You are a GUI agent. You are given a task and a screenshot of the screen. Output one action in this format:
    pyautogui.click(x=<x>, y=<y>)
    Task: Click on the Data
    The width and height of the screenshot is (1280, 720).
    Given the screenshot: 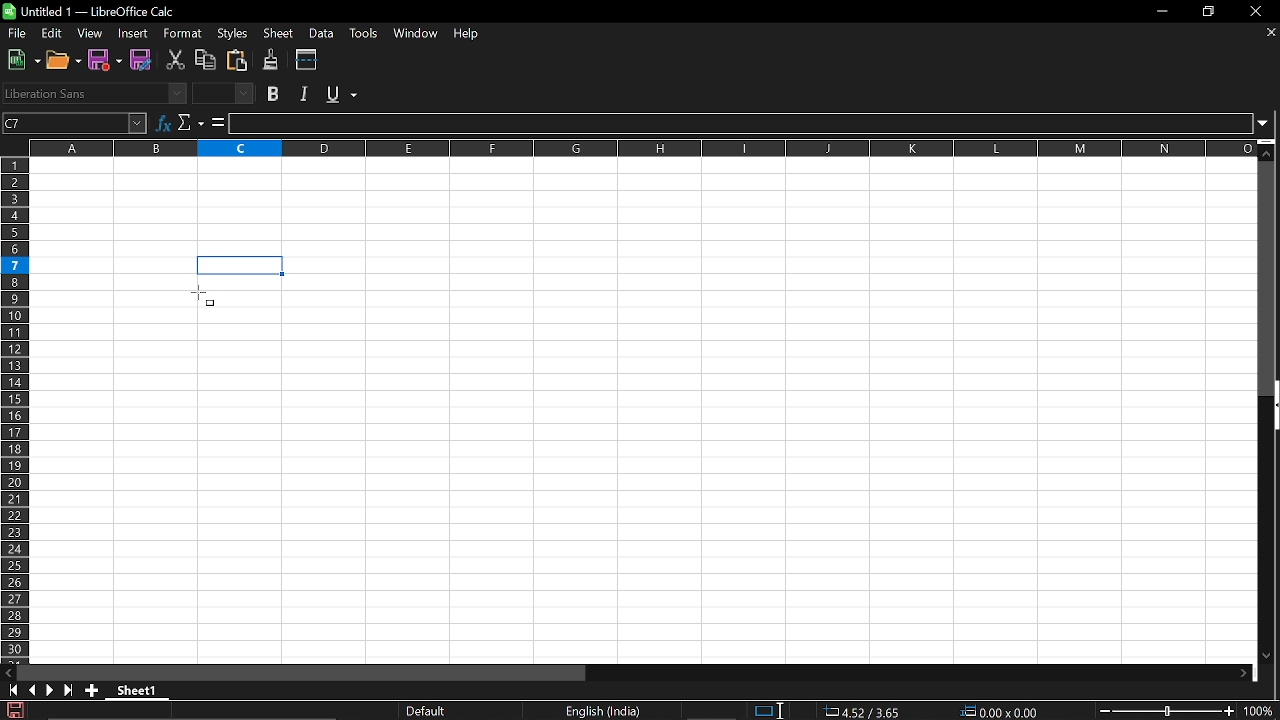 What is the action you would take?
    pyautogui.click(x=321, y=33)
    